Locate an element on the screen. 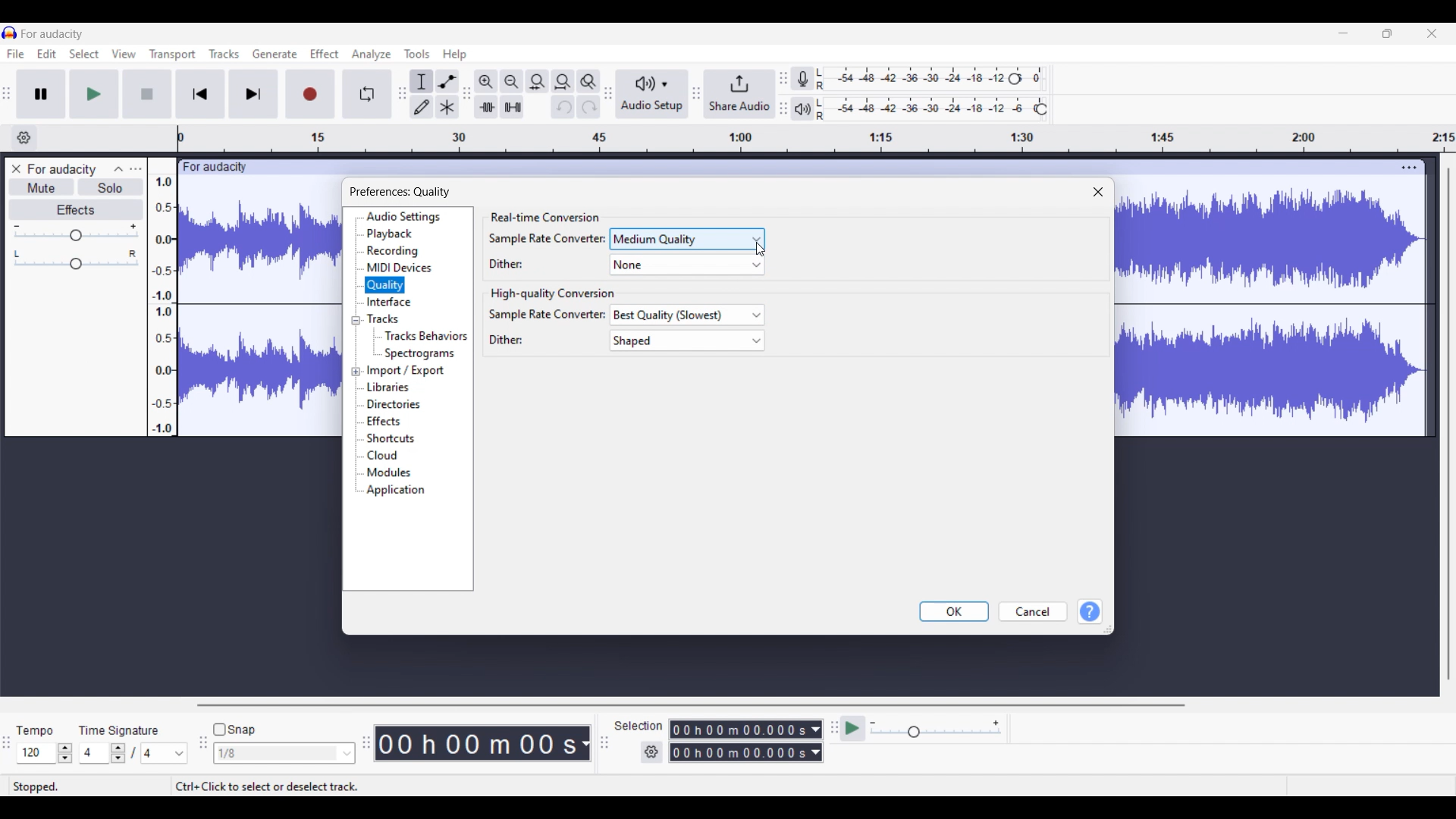  Scale to measure length of track is located at coordinates (817, 138).